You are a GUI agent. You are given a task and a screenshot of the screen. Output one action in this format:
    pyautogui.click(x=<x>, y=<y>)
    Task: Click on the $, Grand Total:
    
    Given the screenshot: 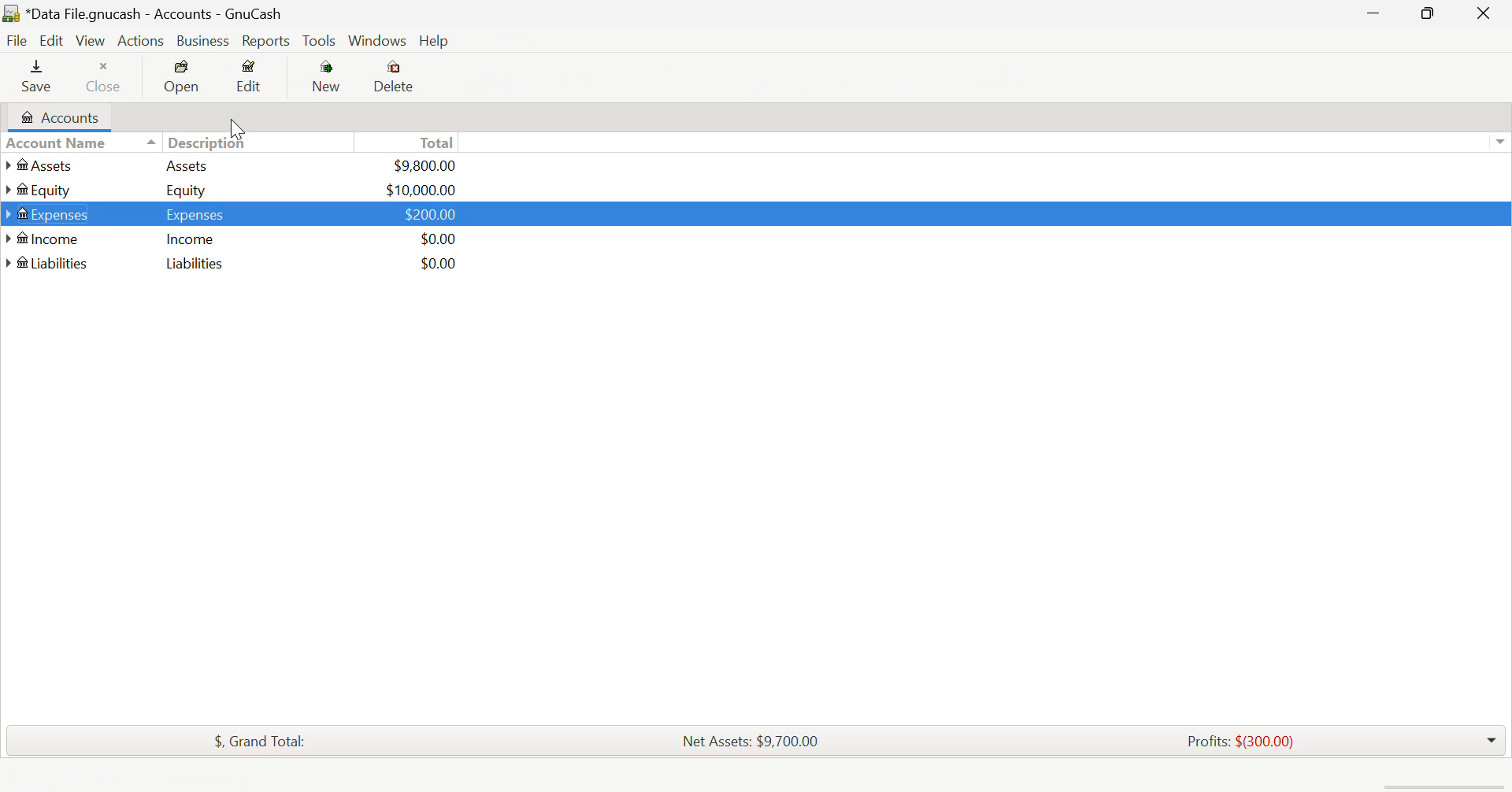 What is the action you would take?
    pyautogui.click(x=261, y=741)
    